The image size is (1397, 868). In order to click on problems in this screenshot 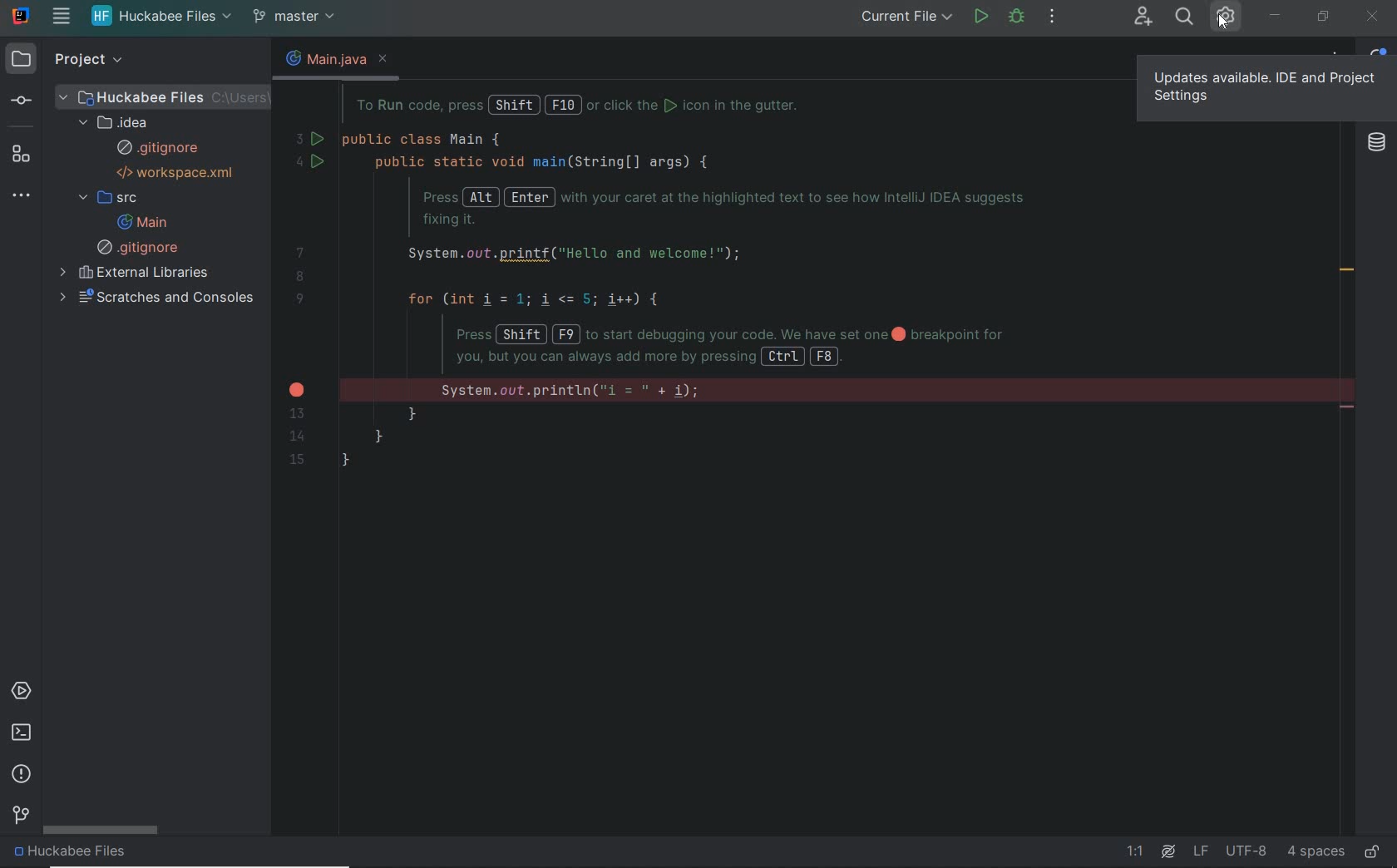, I will do `click(22, 774)`.